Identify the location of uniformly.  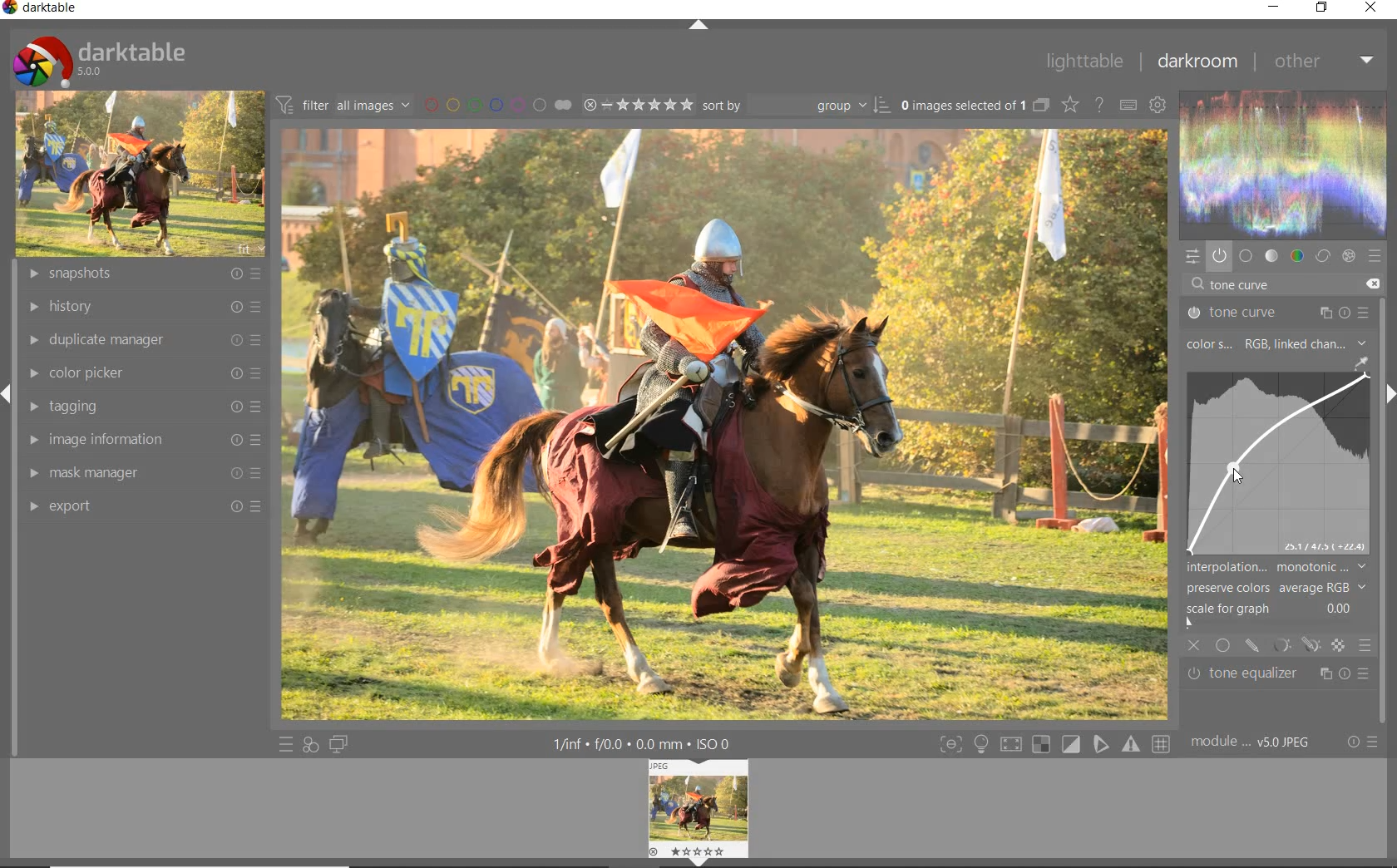
(1224, 645).